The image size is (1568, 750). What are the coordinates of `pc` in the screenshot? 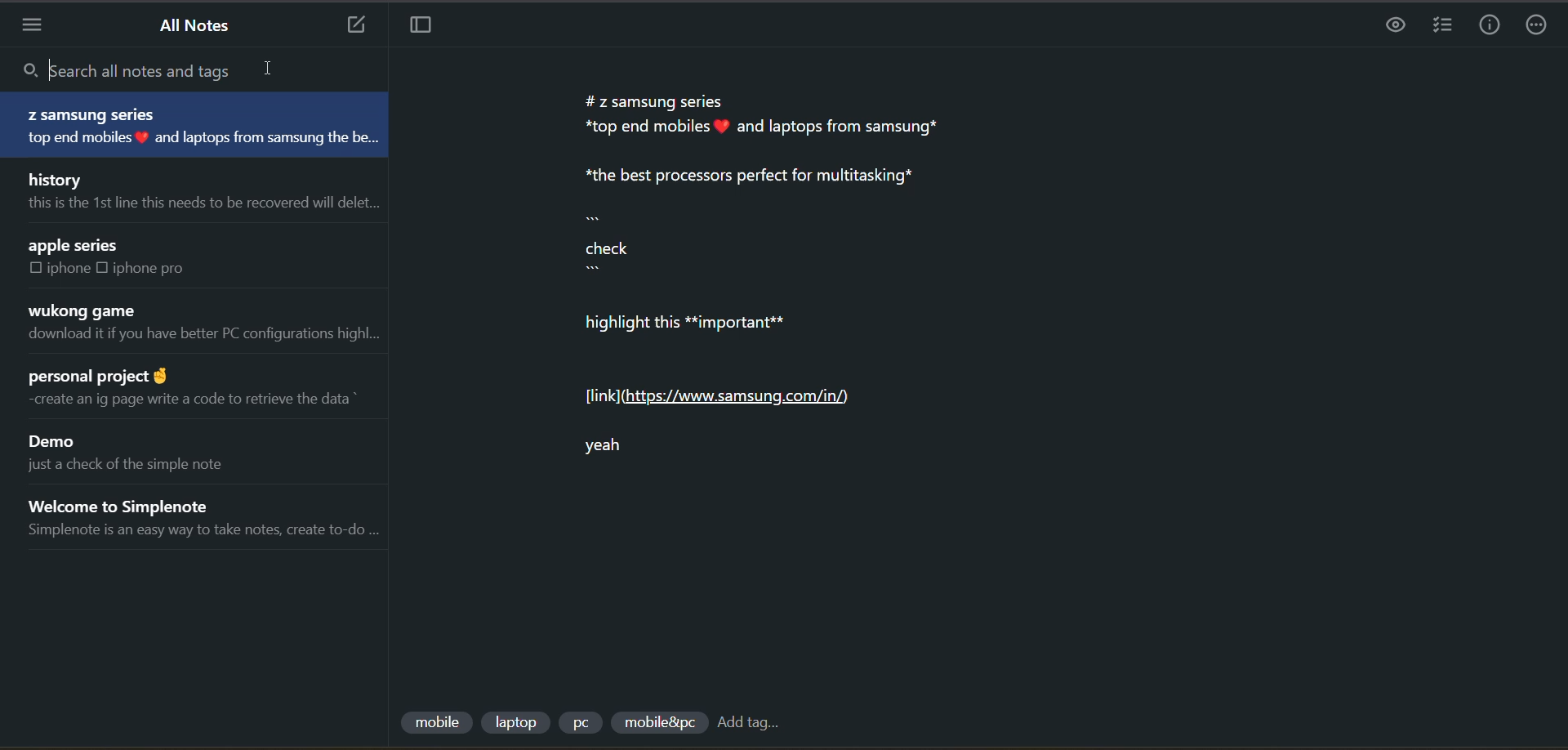 It's located at (585, 725).